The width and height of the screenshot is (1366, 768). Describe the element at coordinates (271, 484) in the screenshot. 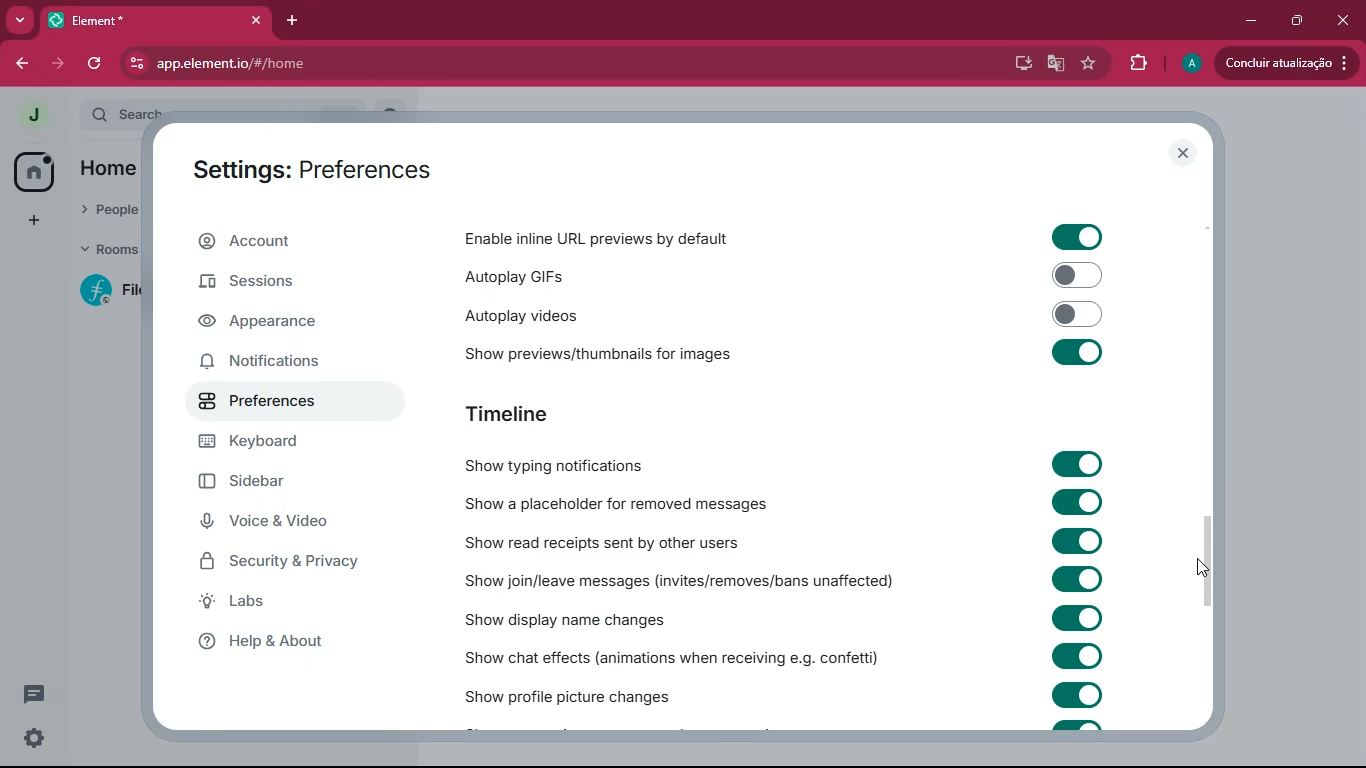

I see `sidebar` at that location.